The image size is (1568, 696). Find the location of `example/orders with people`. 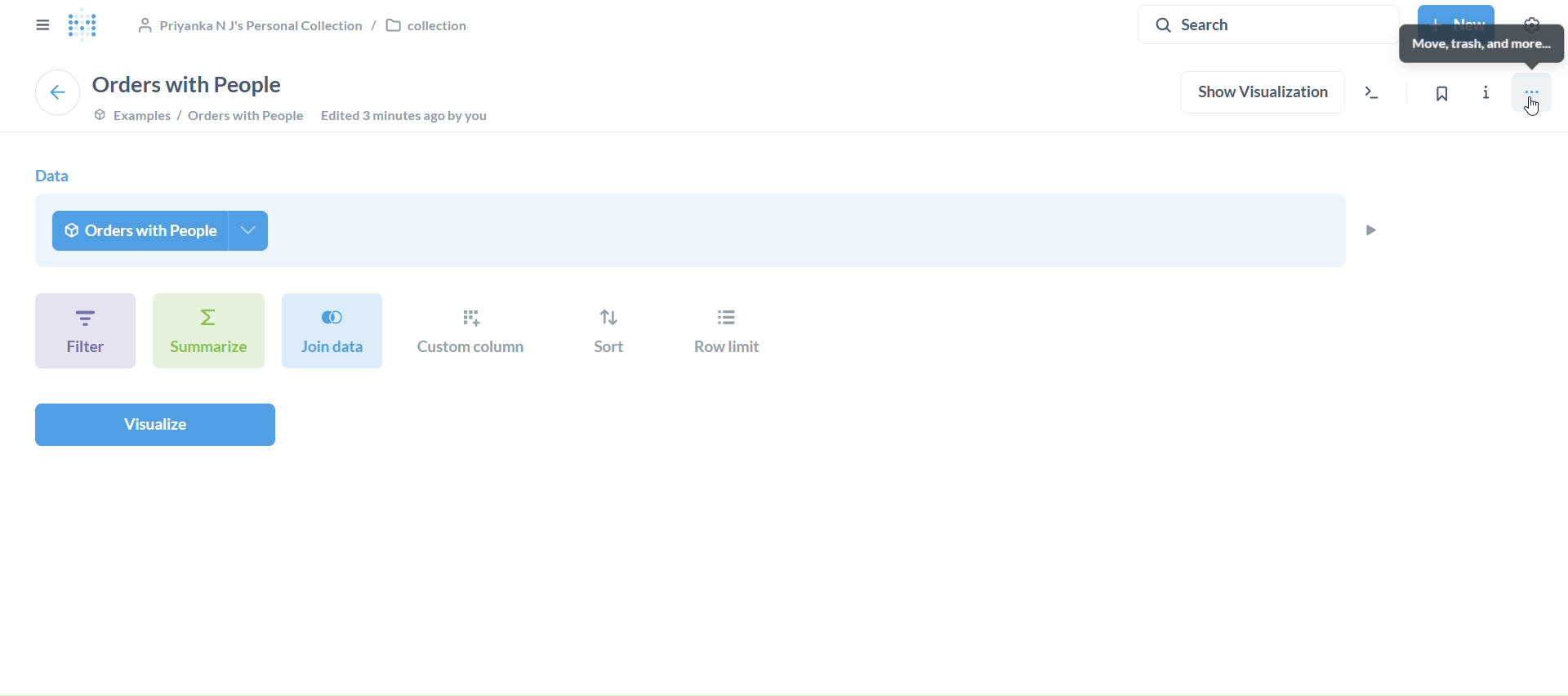

example/orders with people is located at coordinates (201, 115).